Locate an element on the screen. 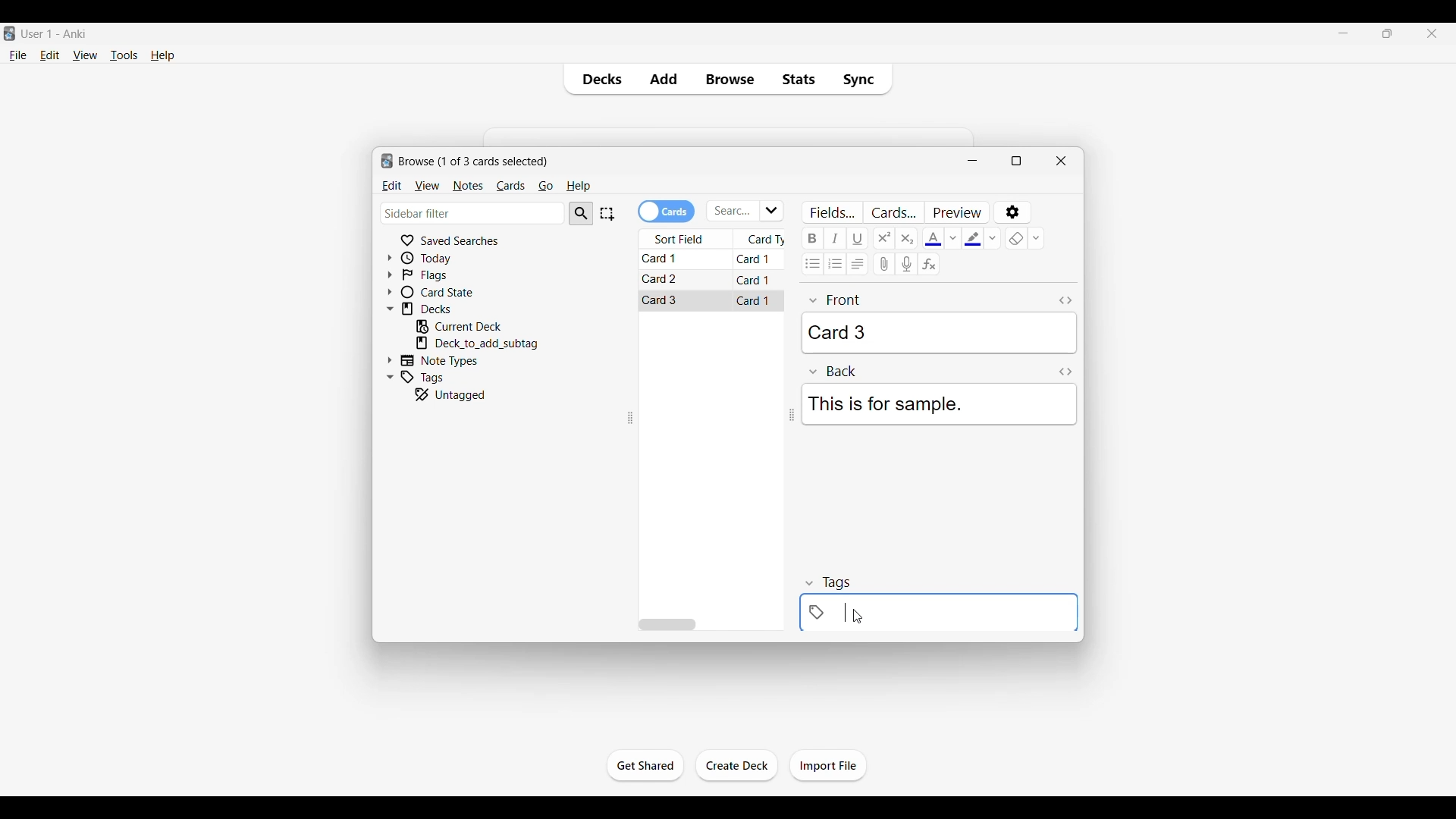 The image size is (1456, 819). Cards menu is located at coordinates (510, 187).